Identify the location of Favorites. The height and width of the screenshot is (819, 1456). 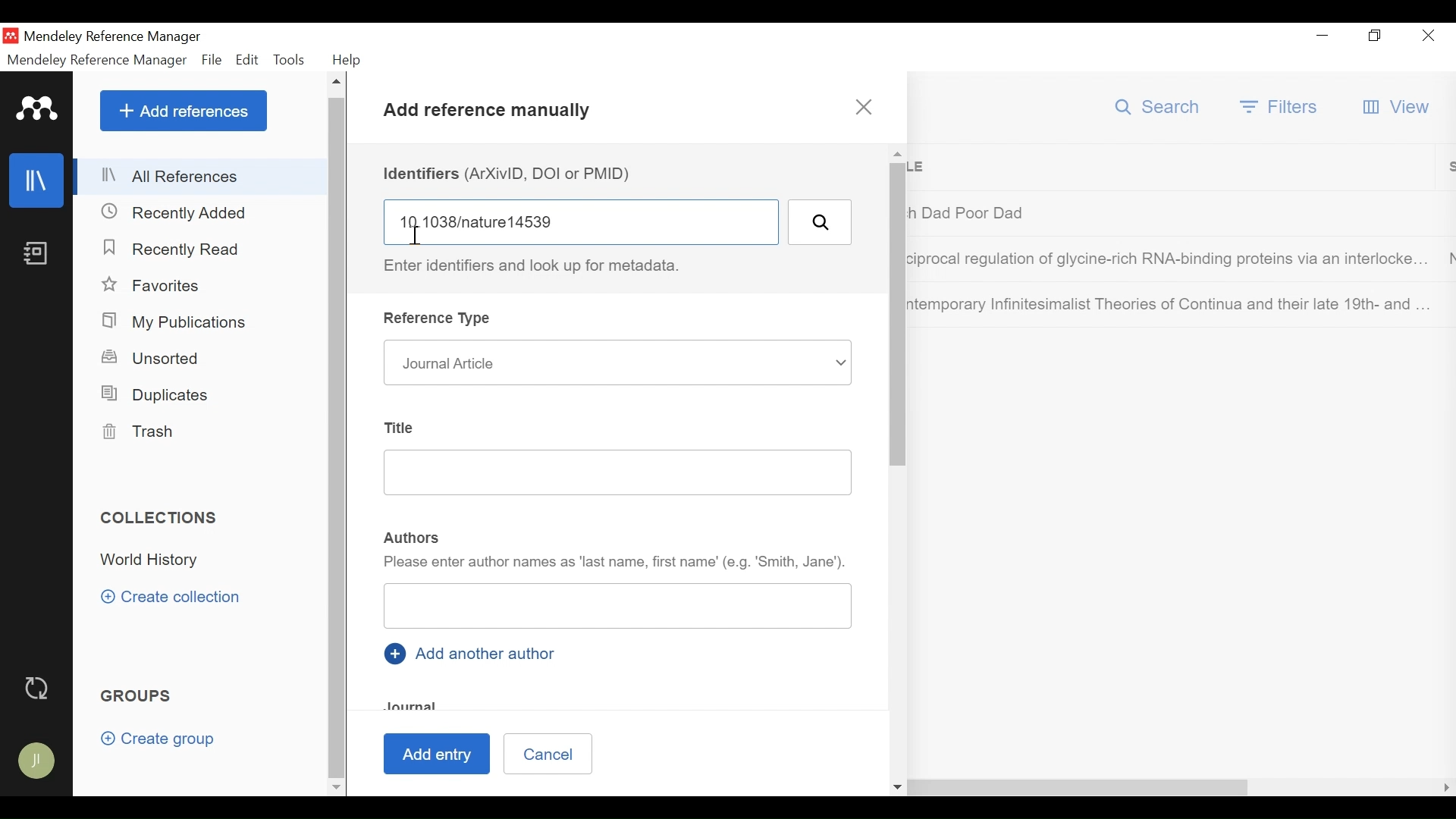
(153, 285).